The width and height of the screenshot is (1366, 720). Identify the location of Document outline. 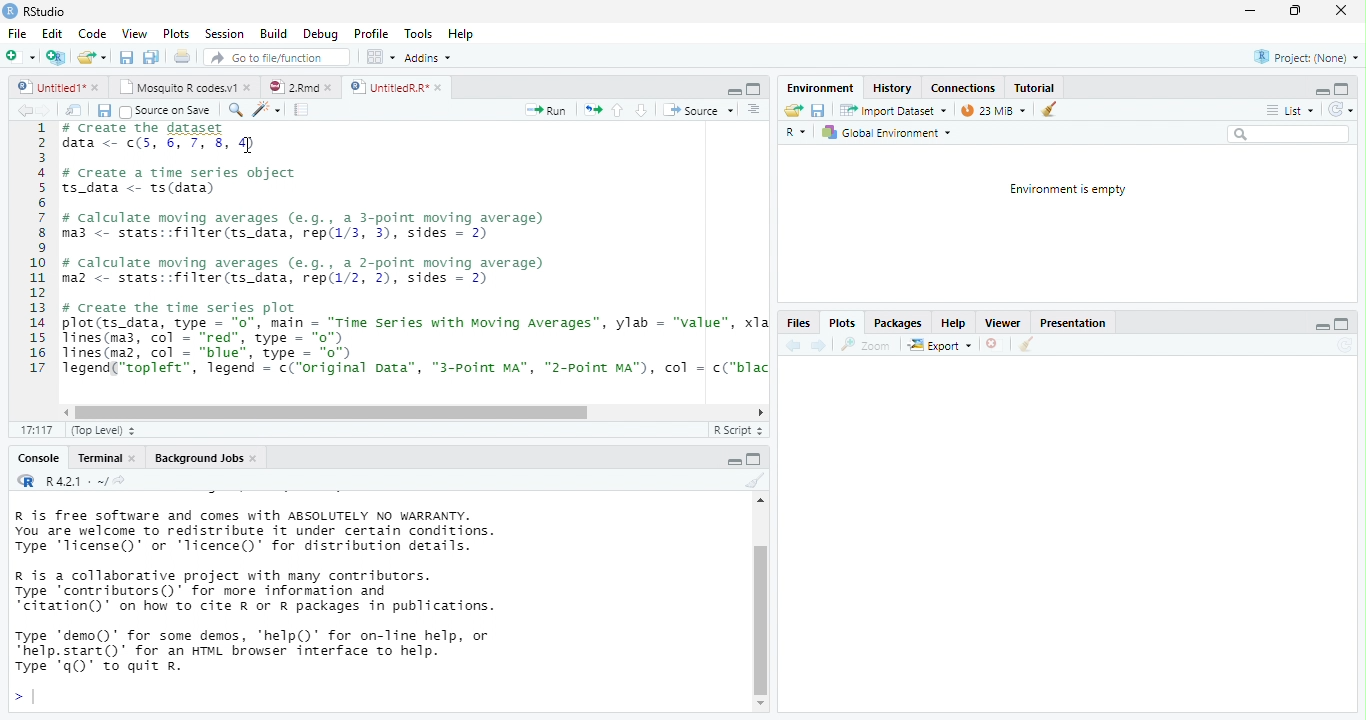
(755, 110).